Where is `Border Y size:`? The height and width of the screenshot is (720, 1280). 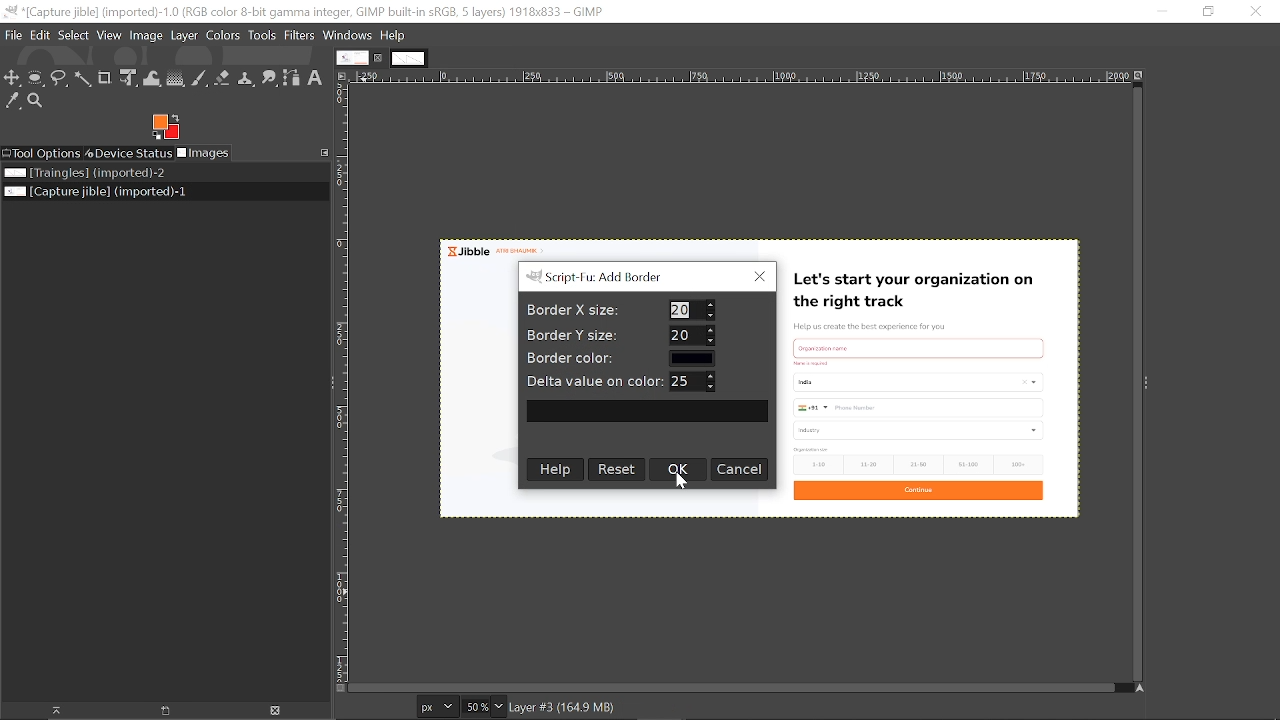 Border Y size: is located at coordinates (577, 336).